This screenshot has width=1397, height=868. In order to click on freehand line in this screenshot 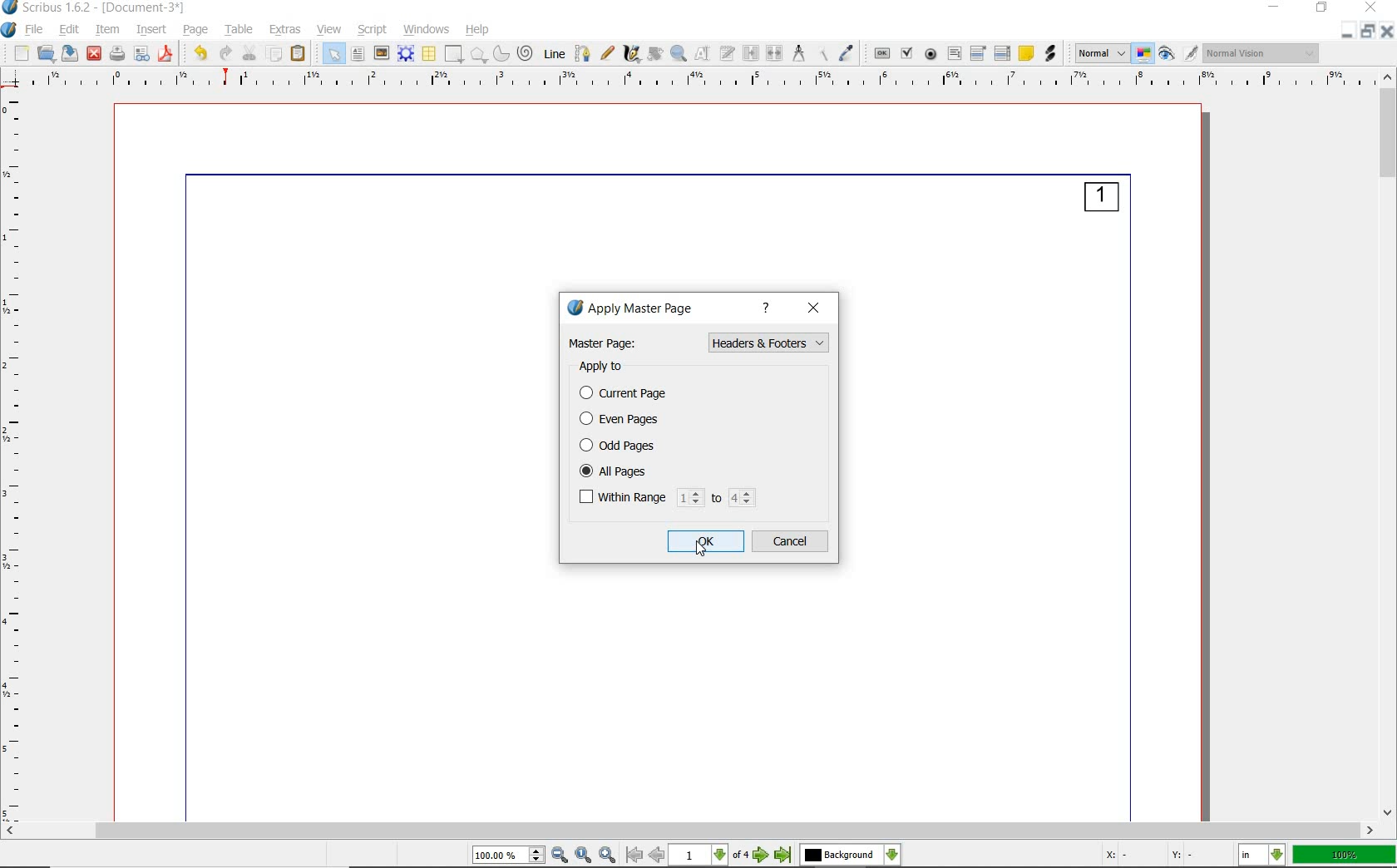, I will do `click(607, 54)`.